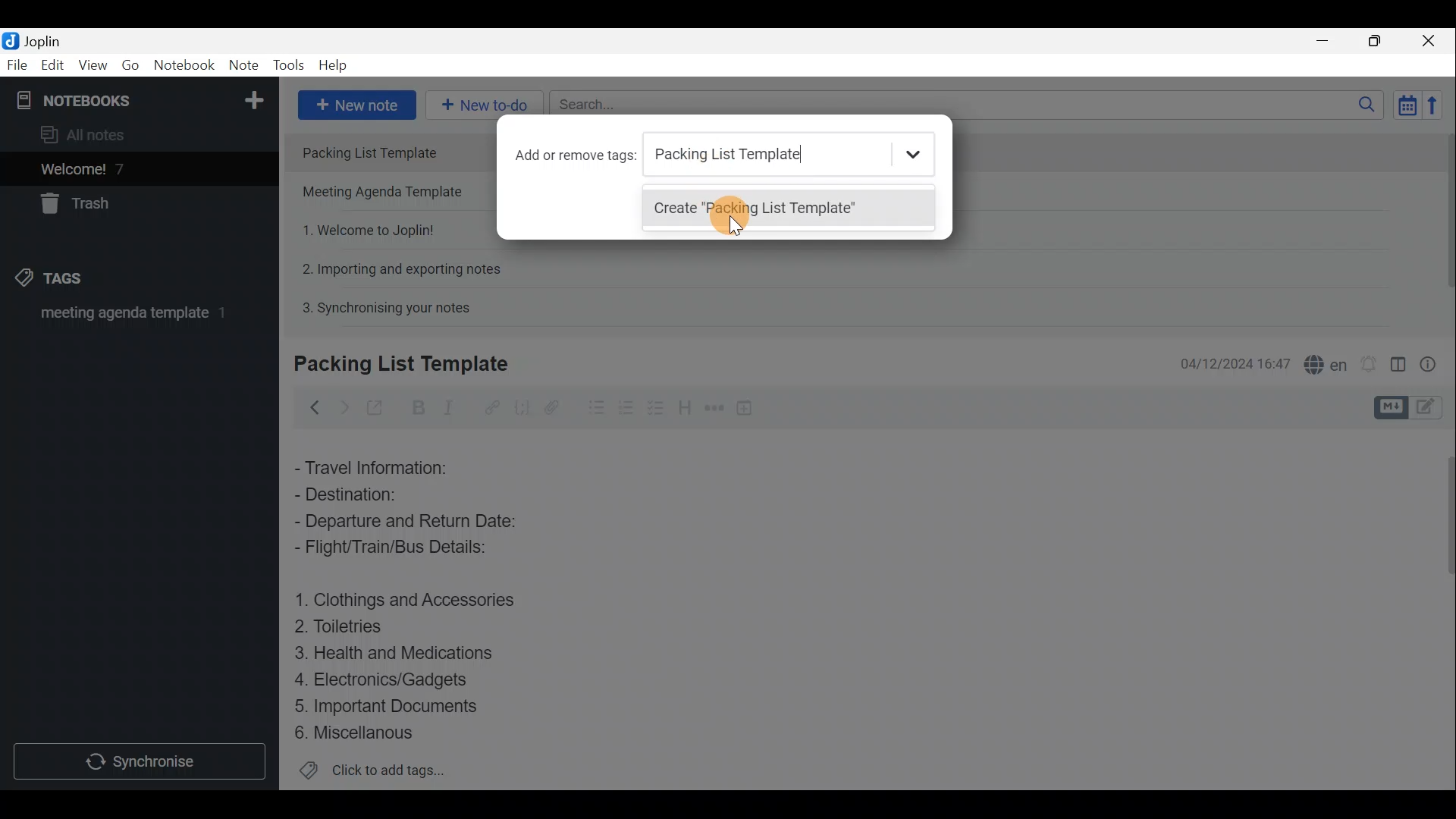 The height and width of the screenshot is (819, 1456). I want to click on Note 5, so click(380, 306).